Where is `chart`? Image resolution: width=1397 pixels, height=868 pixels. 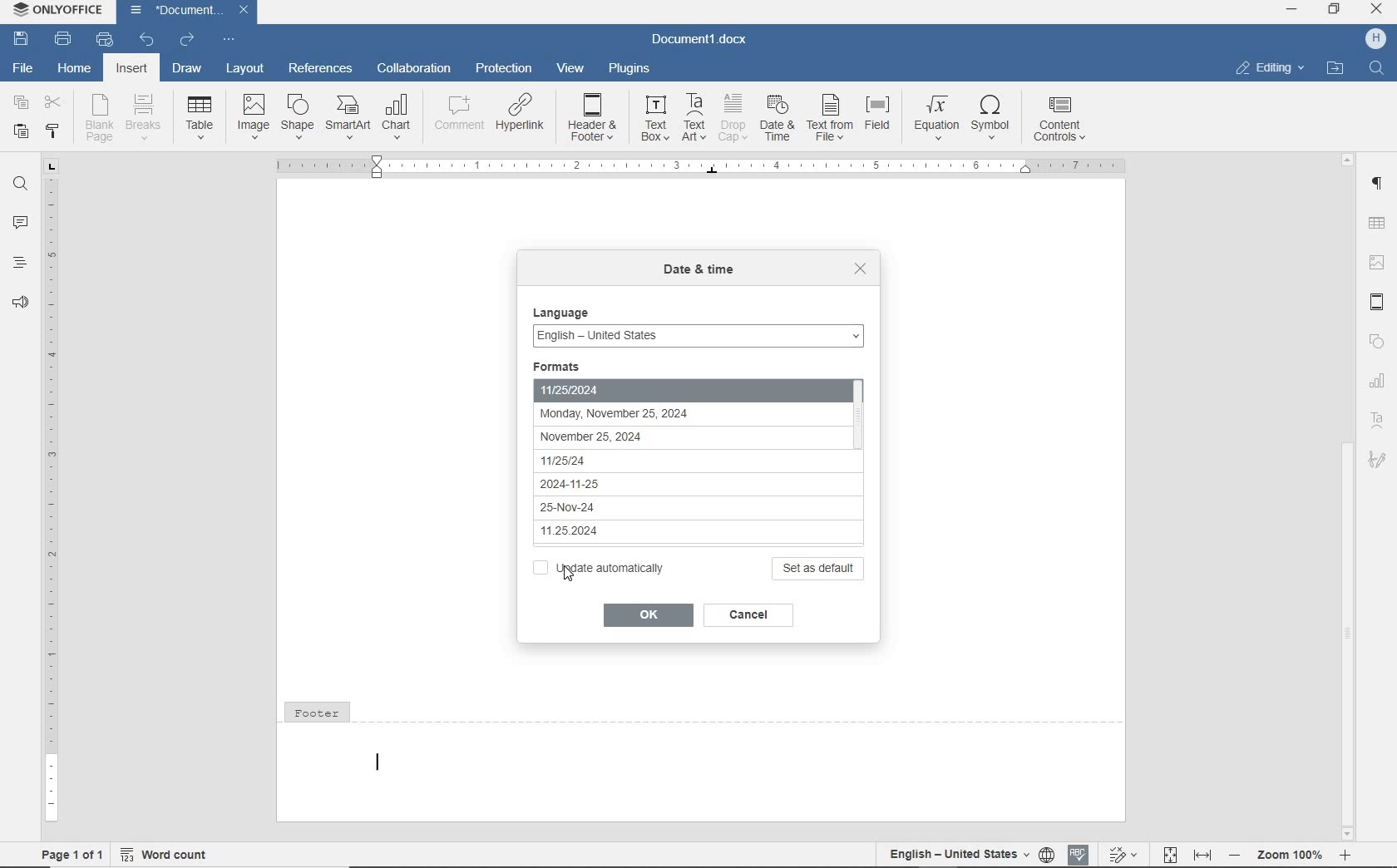 chart is located at coordinates (1378, 382).